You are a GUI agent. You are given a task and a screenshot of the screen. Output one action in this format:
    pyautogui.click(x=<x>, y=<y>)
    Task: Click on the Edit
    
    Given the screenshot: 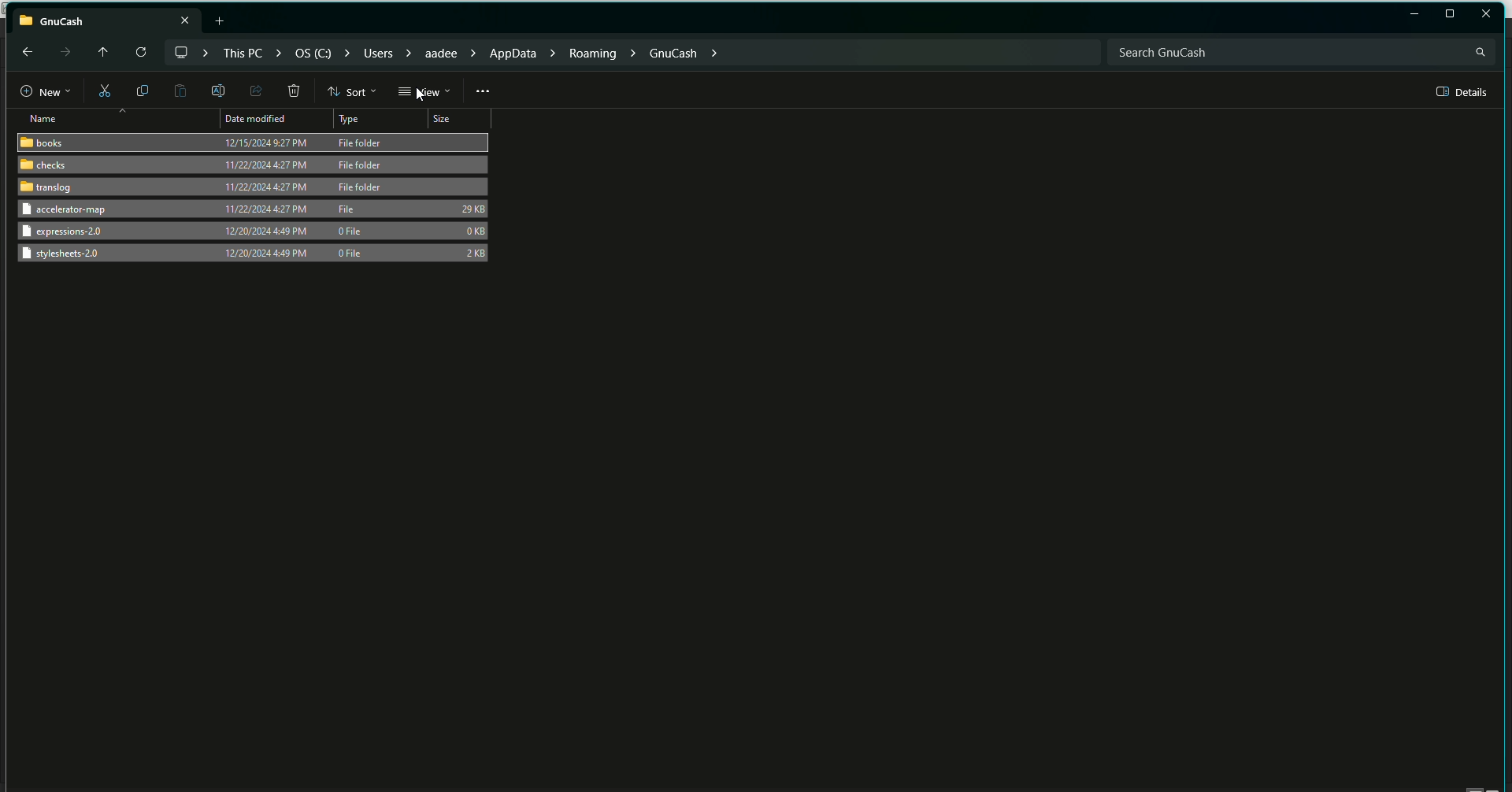 What is the action you would take?
    pyautogui.click(x=216, y=90)
    